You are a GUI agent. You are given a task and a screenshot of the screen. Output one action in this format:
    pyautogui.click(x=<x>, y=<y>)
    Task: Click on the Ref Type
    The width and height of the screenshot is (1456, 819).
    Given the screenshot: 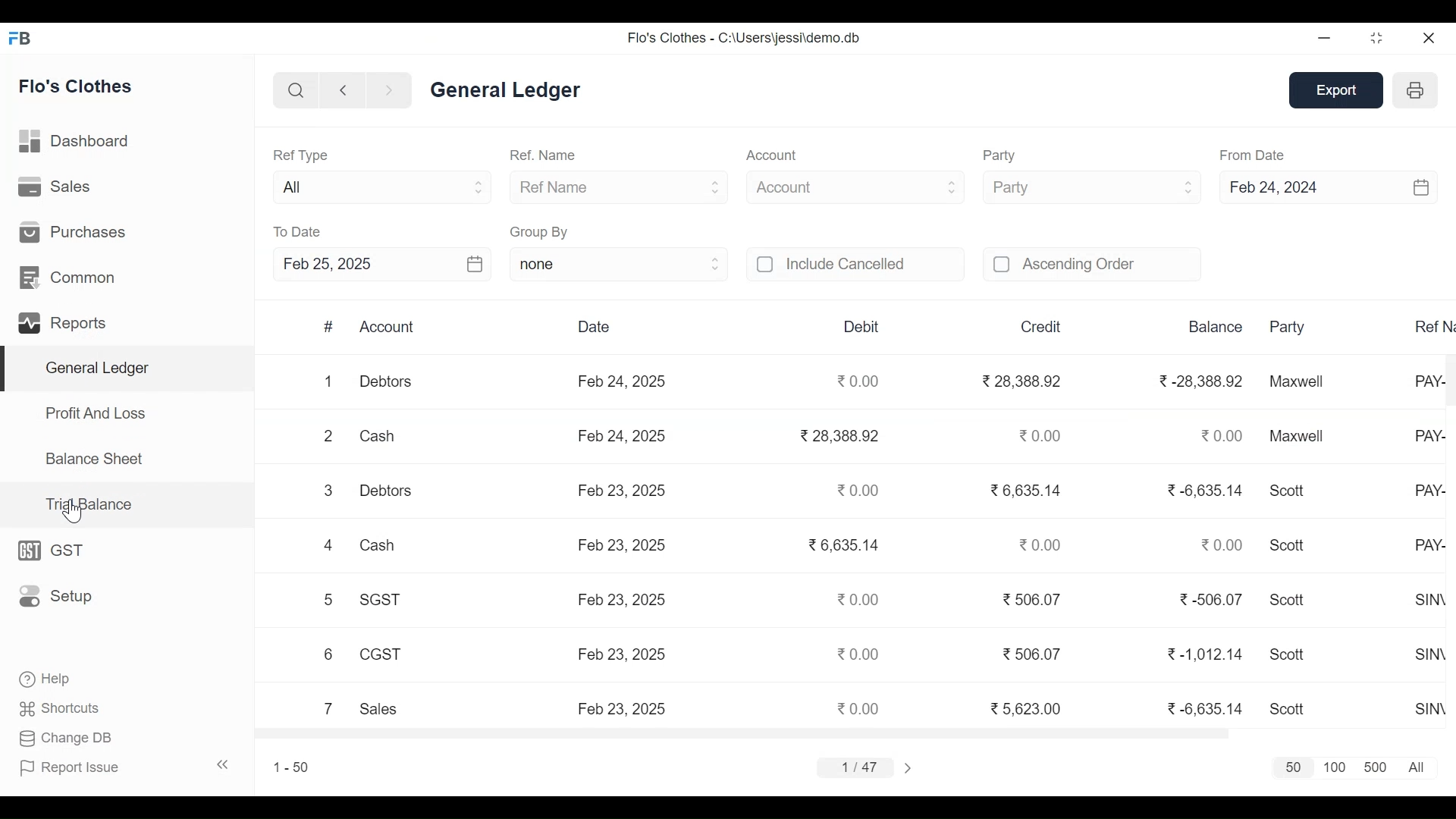 What is the action you would take?
    pyautogui.click(x=305, y=156)
    